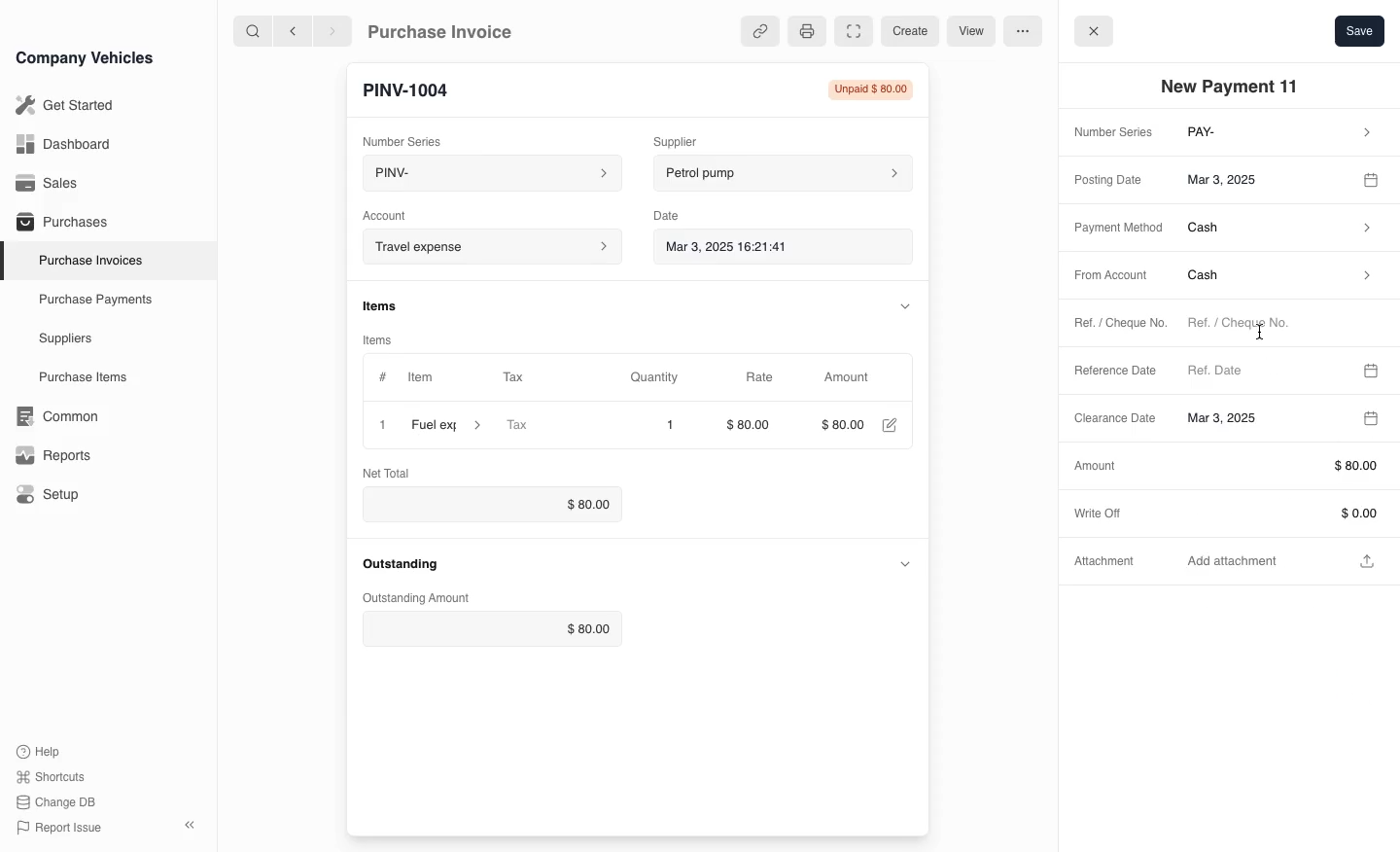 Image resolution: width=1400 pixels, height=852 pixels. Describe the element at coordinates (676, 212) in the screenshot. I see `Date` at that location.